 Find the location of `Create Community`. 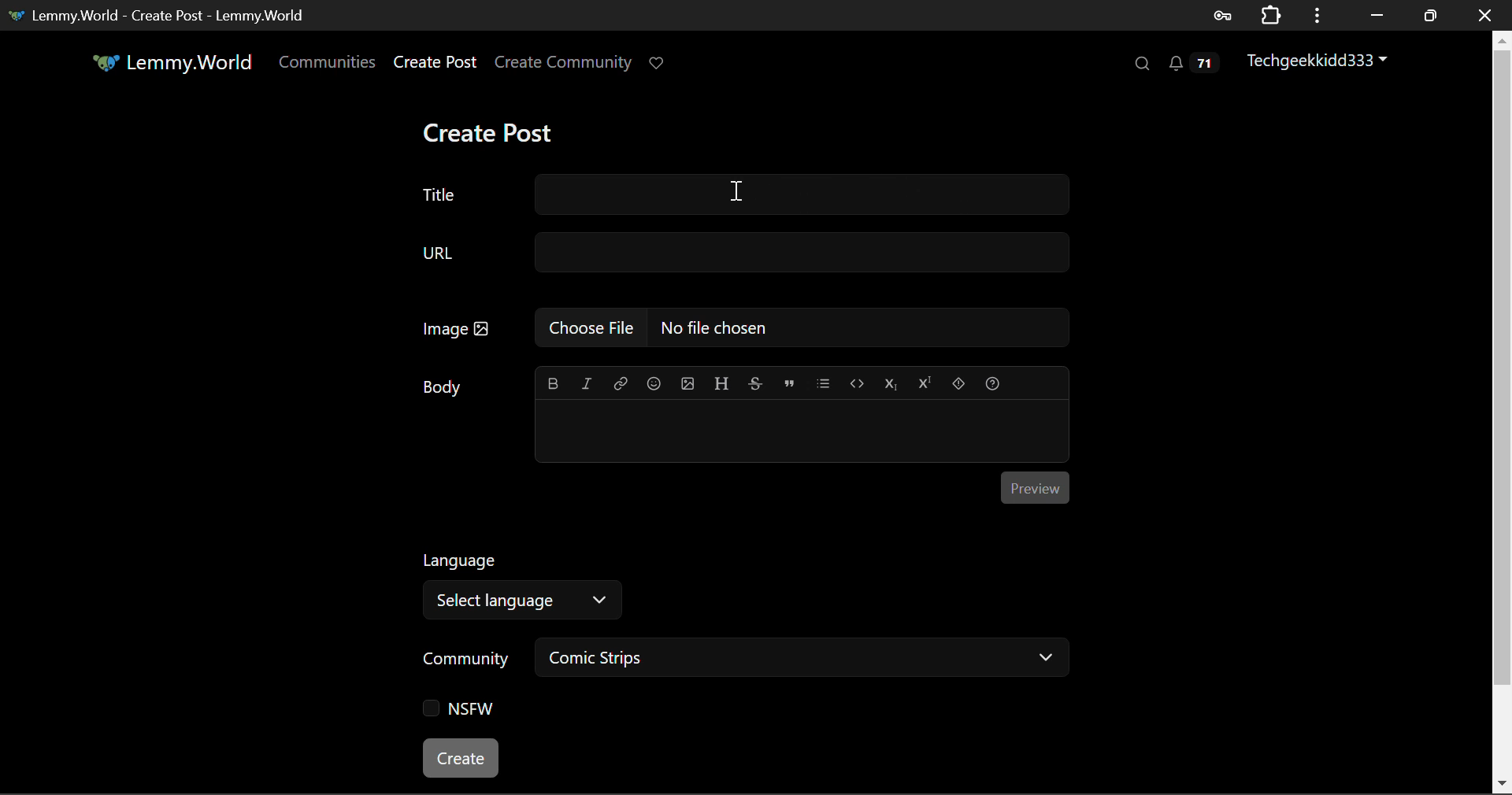

Create Community is located at coordinates (563, 61).